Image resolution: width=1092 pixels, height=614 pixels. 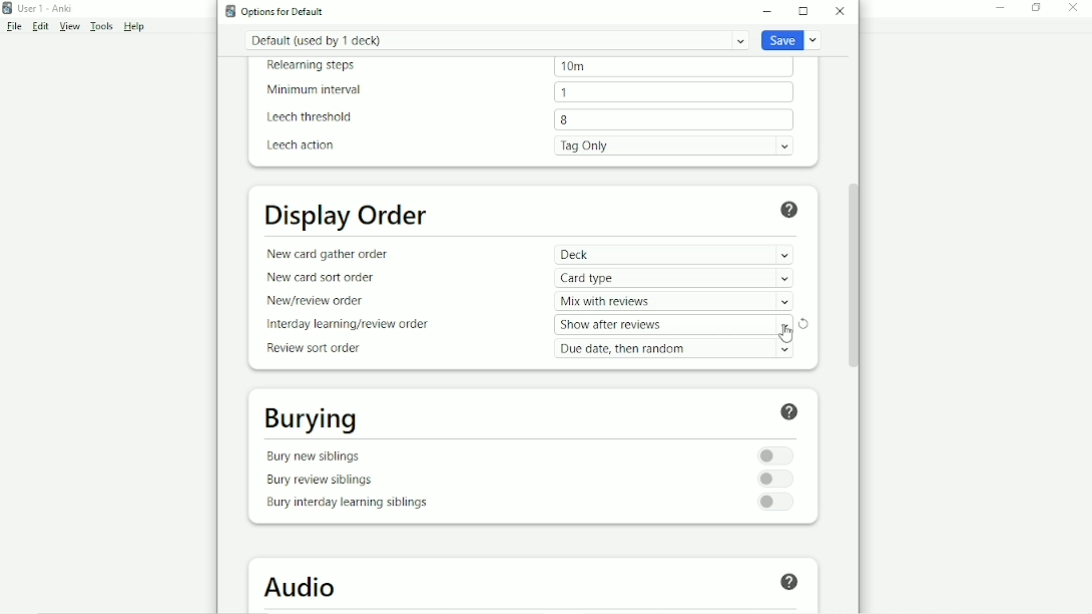 What do you see at coordinates (230, 11) in the screenshot?
I see `Anki logo` at bounding box center [230, 11].